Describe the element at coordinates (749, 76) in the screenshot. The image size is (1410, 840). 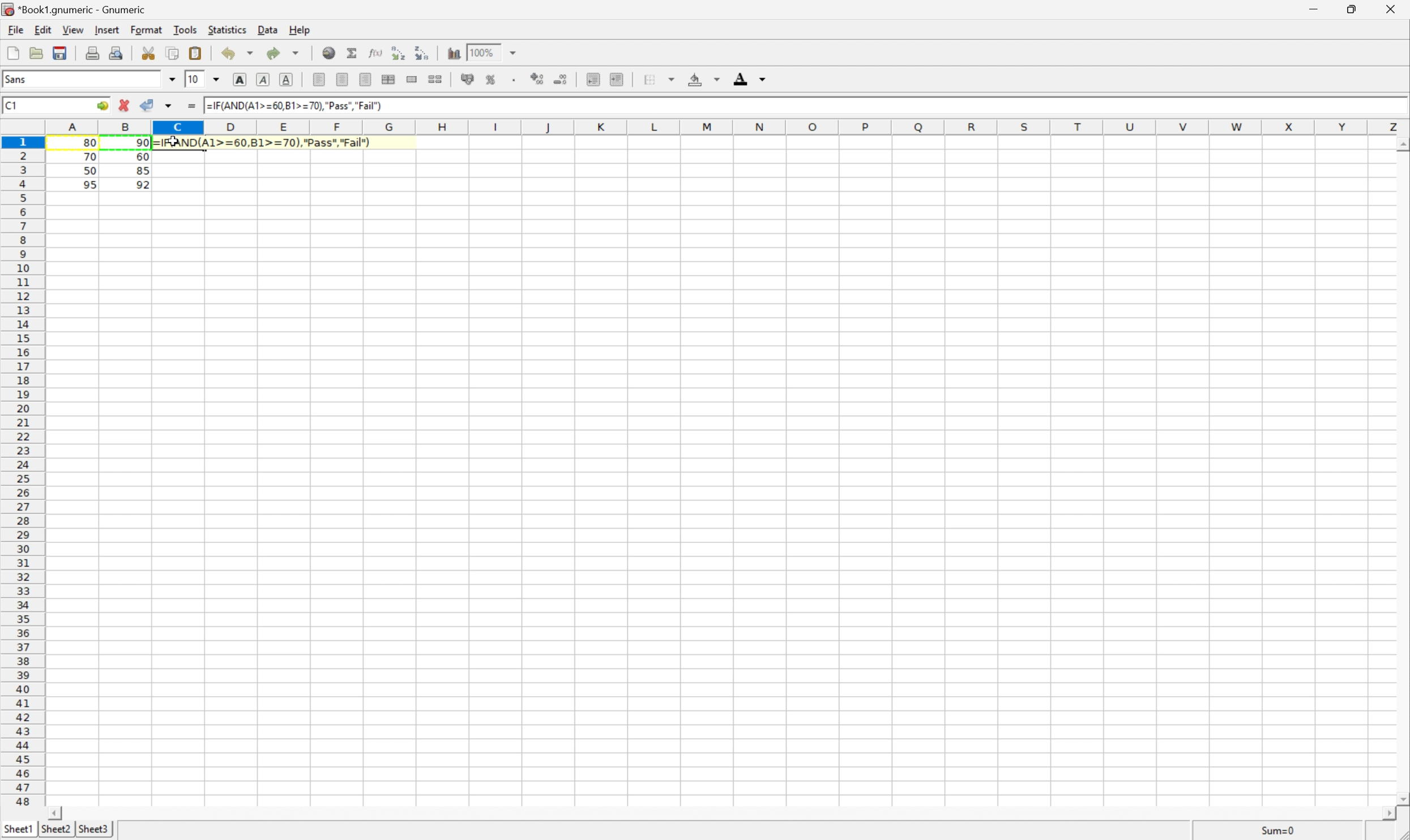
I see `Foreground` at that location.